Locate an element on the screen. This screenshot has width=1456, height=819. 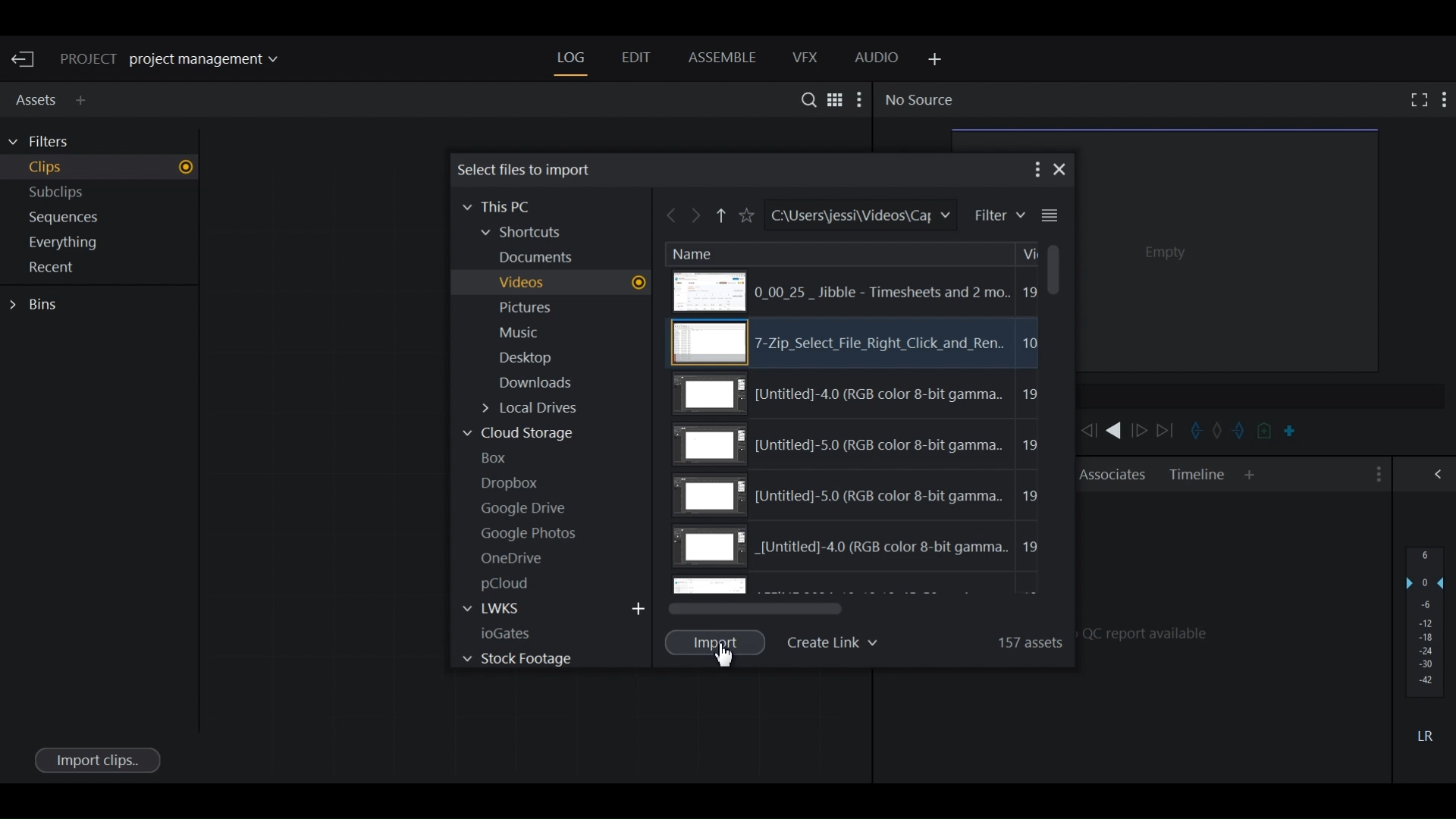
Nudge one frame backward is located at coordinates (1088, 431).